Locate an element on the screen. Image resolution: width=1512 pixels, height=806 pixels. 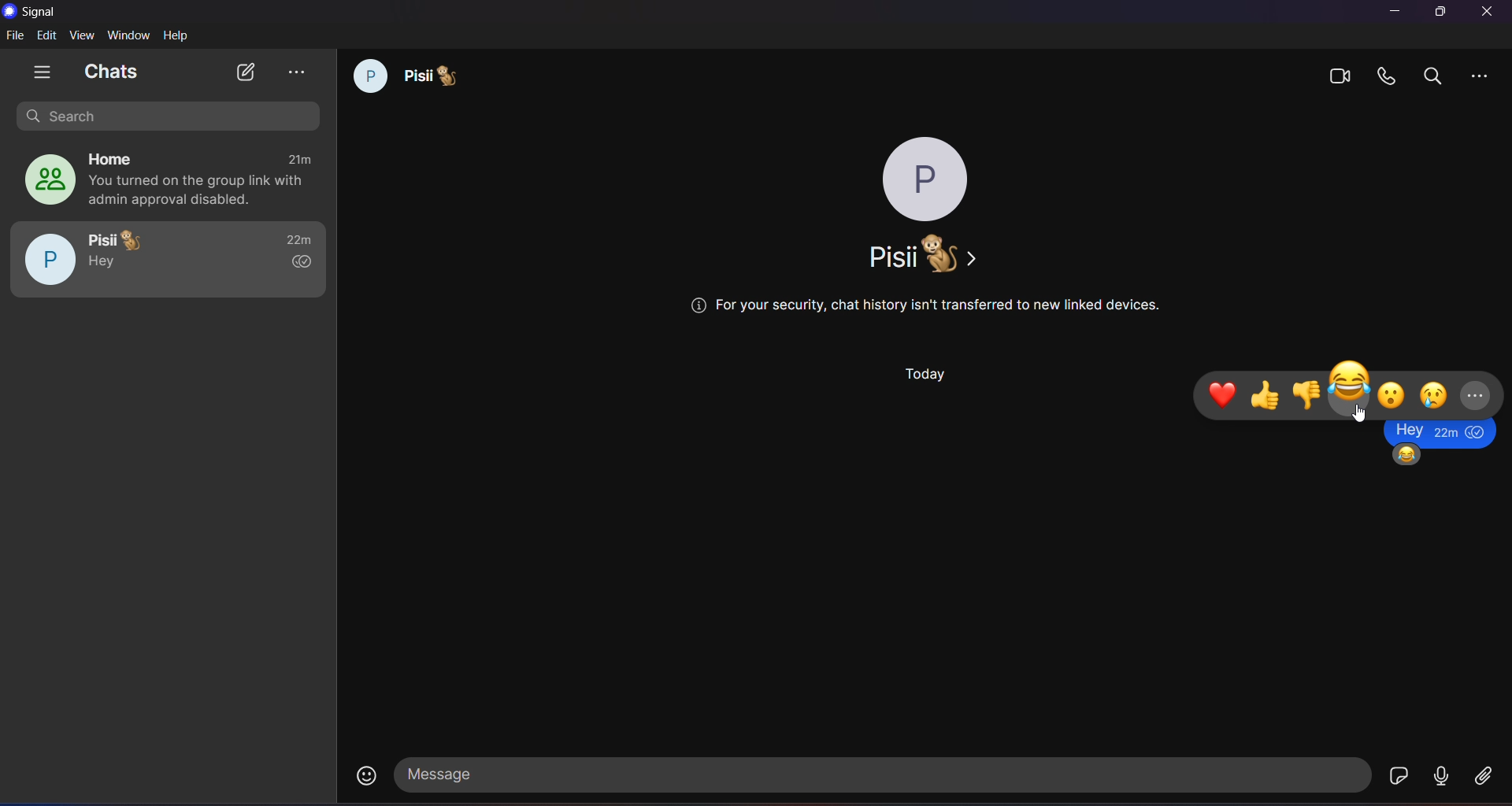
chat is located at coordinates (402, 74).